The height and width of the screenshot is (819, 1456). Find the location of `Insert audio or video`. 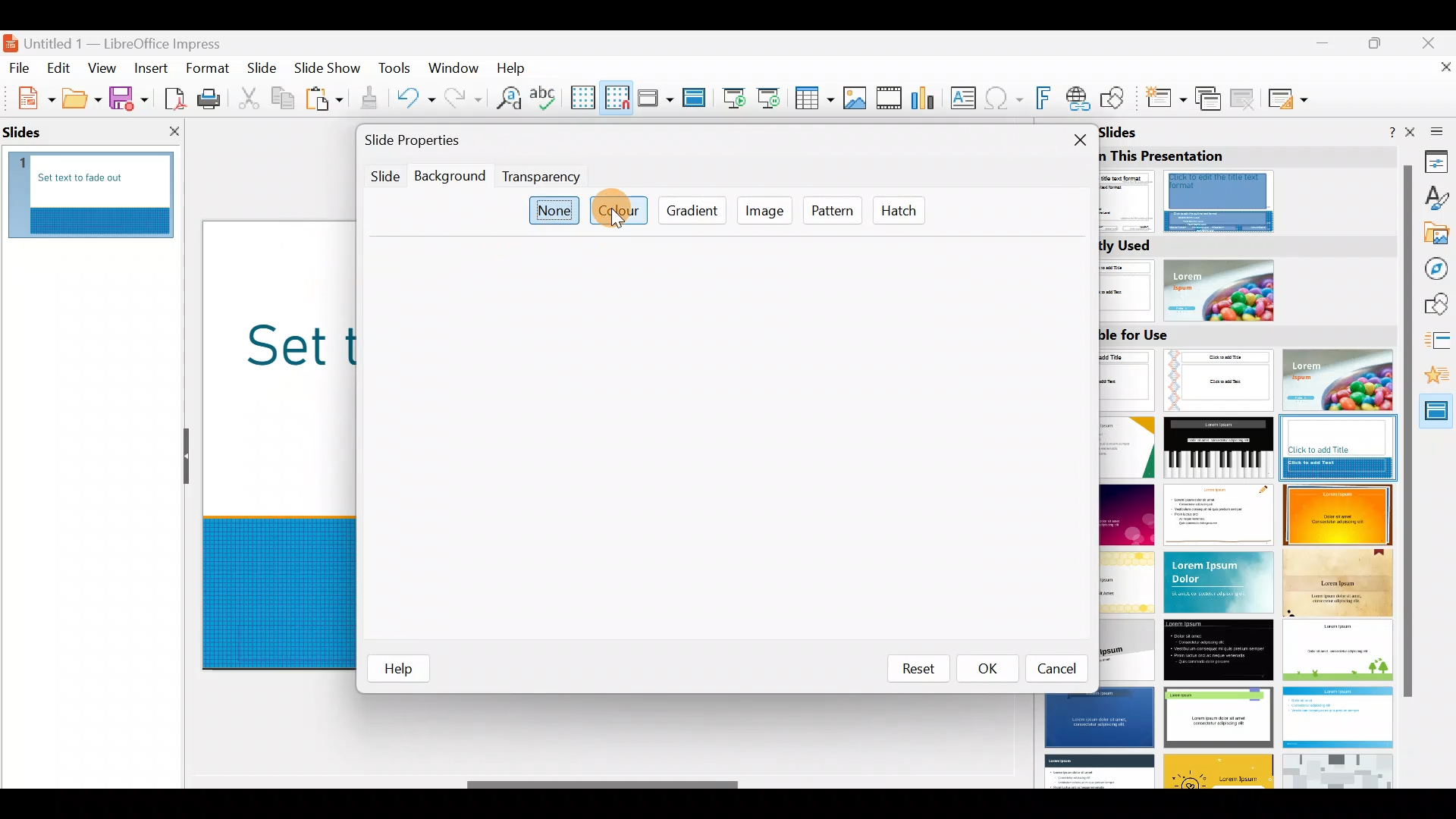

Insert audio or video is located at coordinates (890, 101).